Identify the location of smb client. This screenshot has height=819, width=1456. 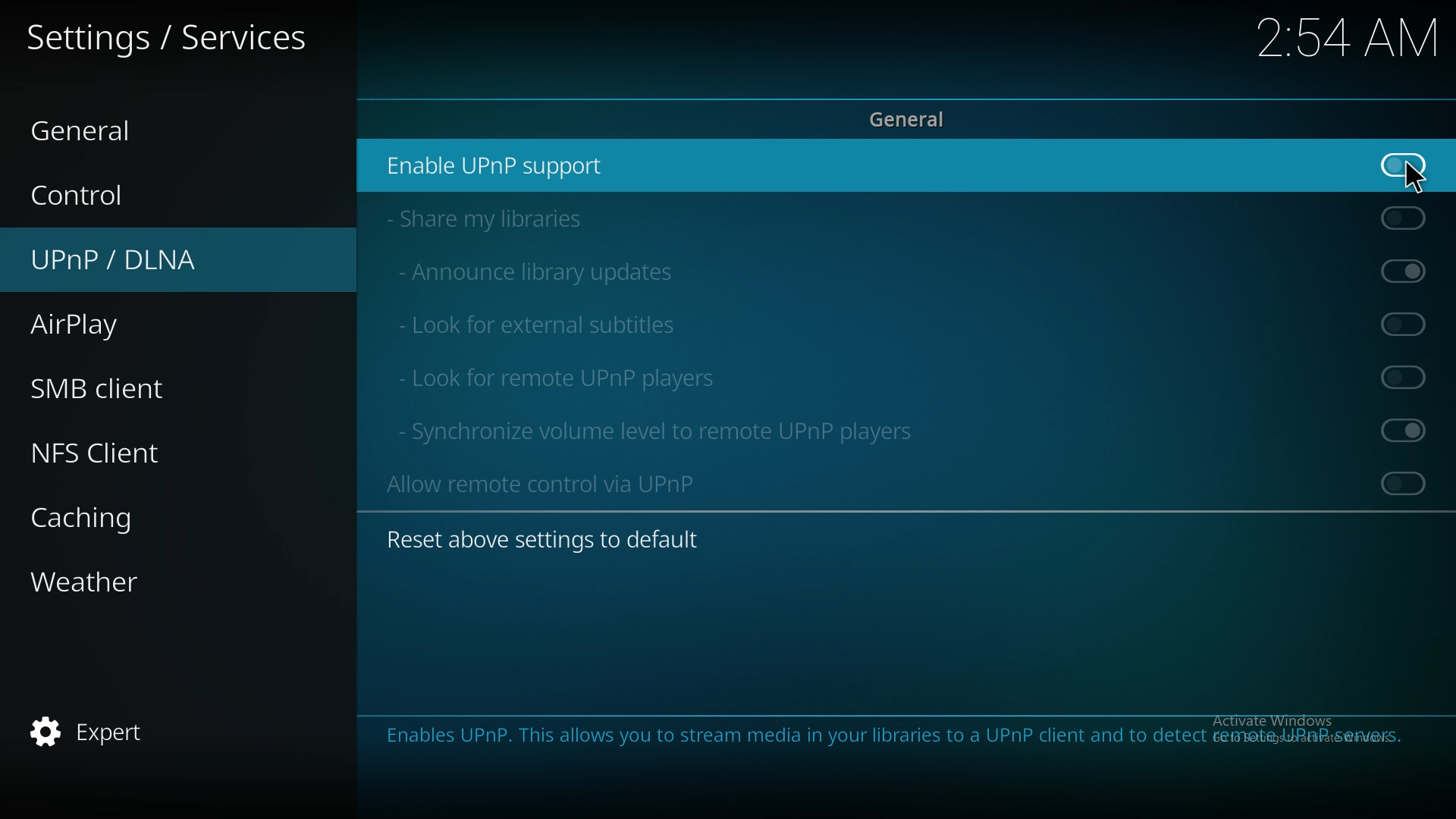
(121, 389).